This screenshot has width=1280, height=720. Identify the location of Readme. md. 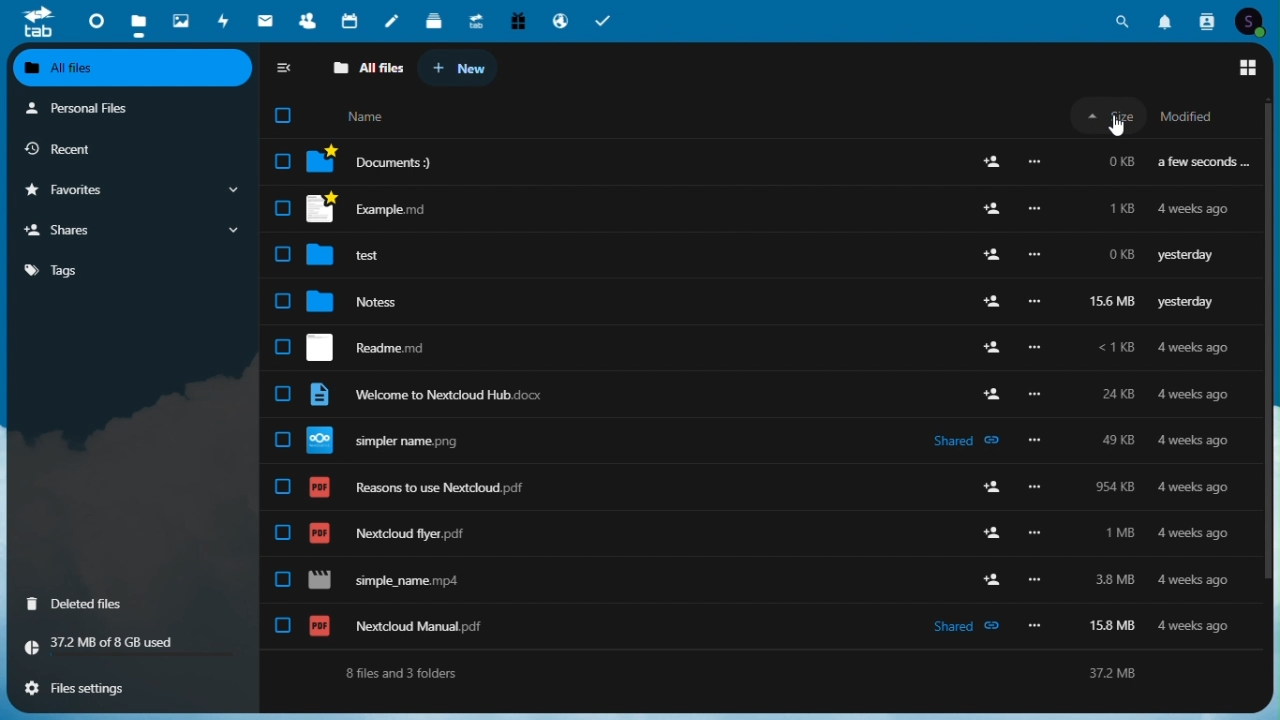
(747, 487).